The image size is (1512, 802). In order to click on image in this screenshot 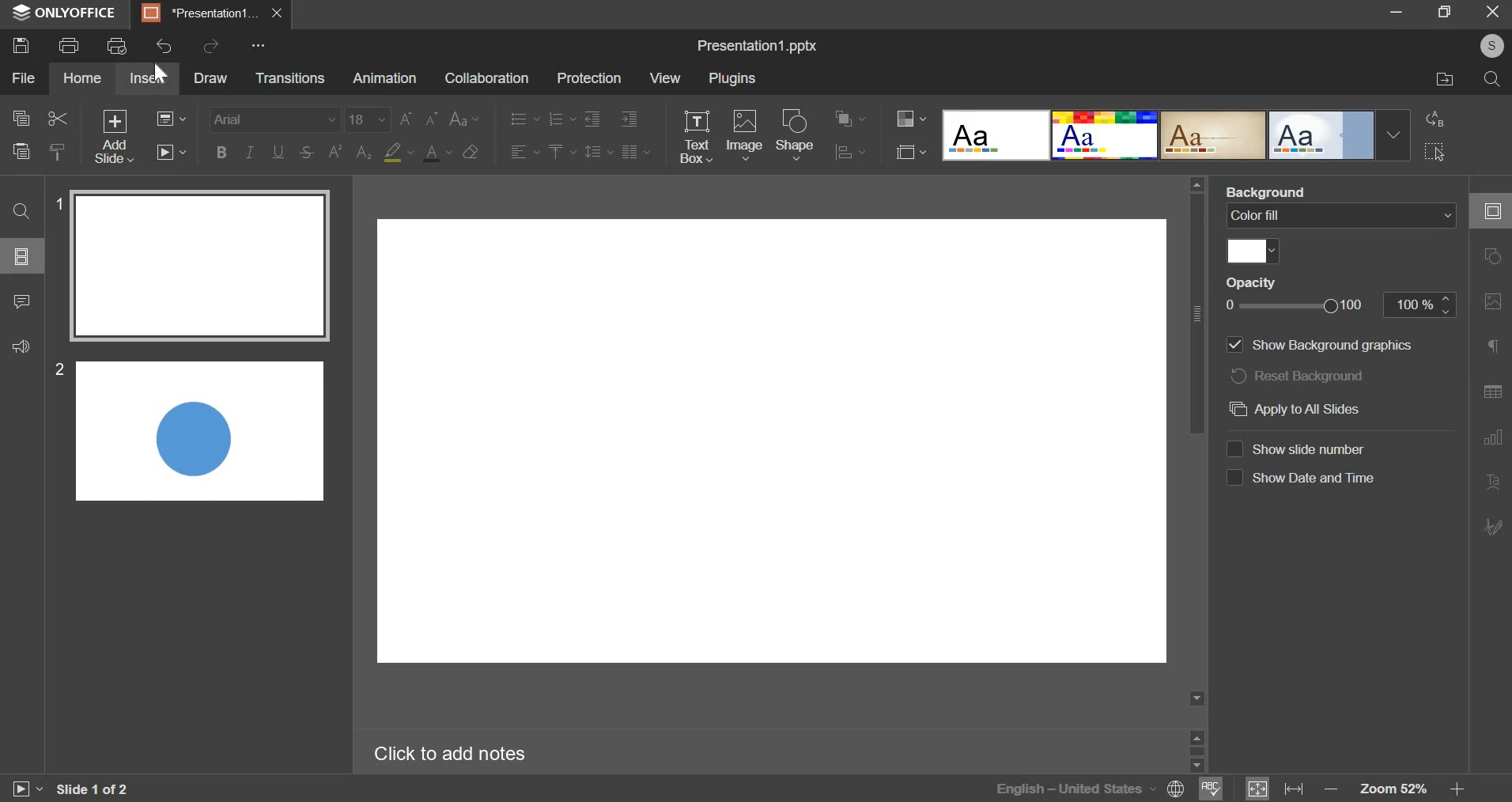, I will do `click(743, 134)`.